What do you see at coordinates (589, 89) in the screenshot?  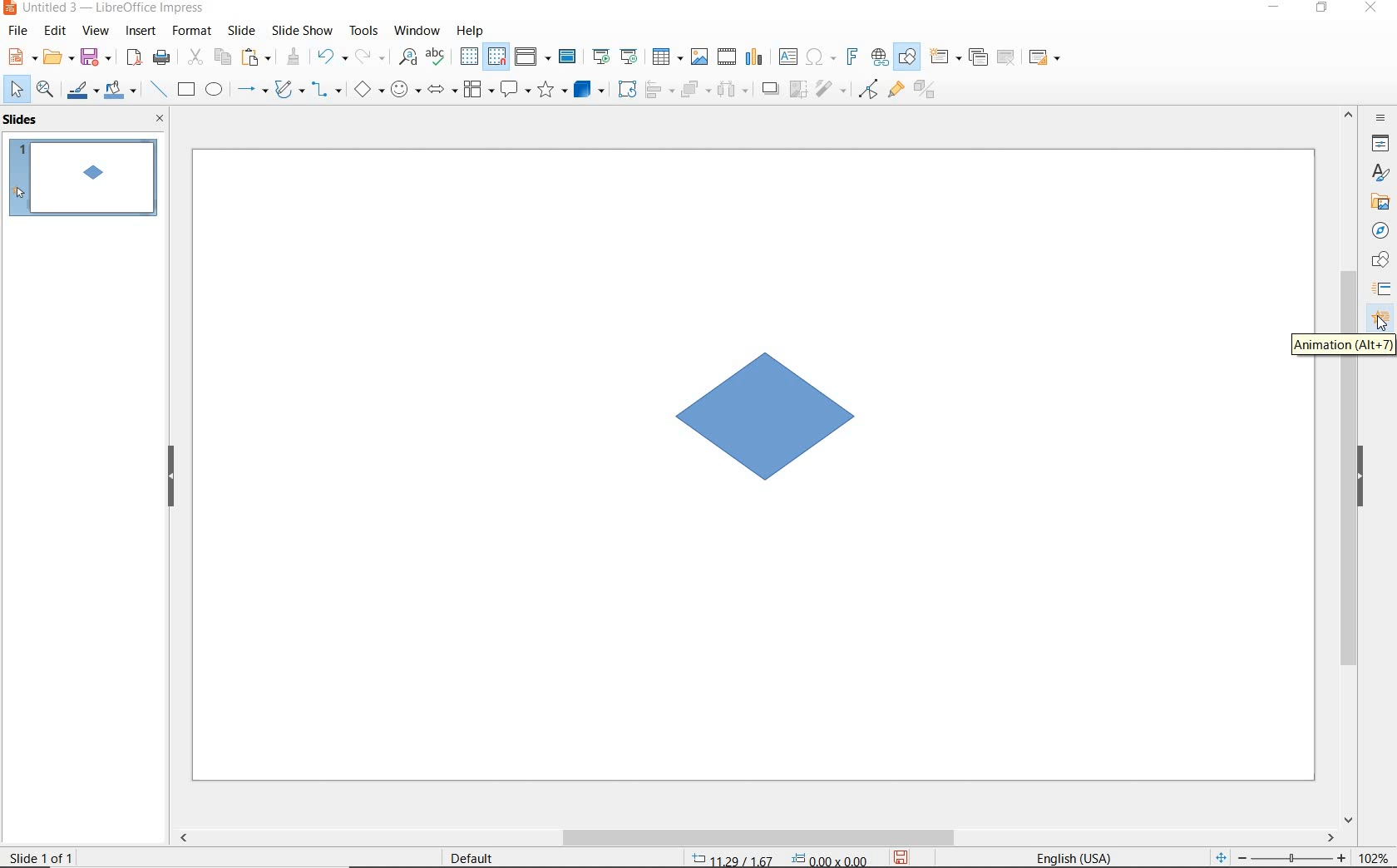 I see `3d objects` at bounding box center [589, 89].